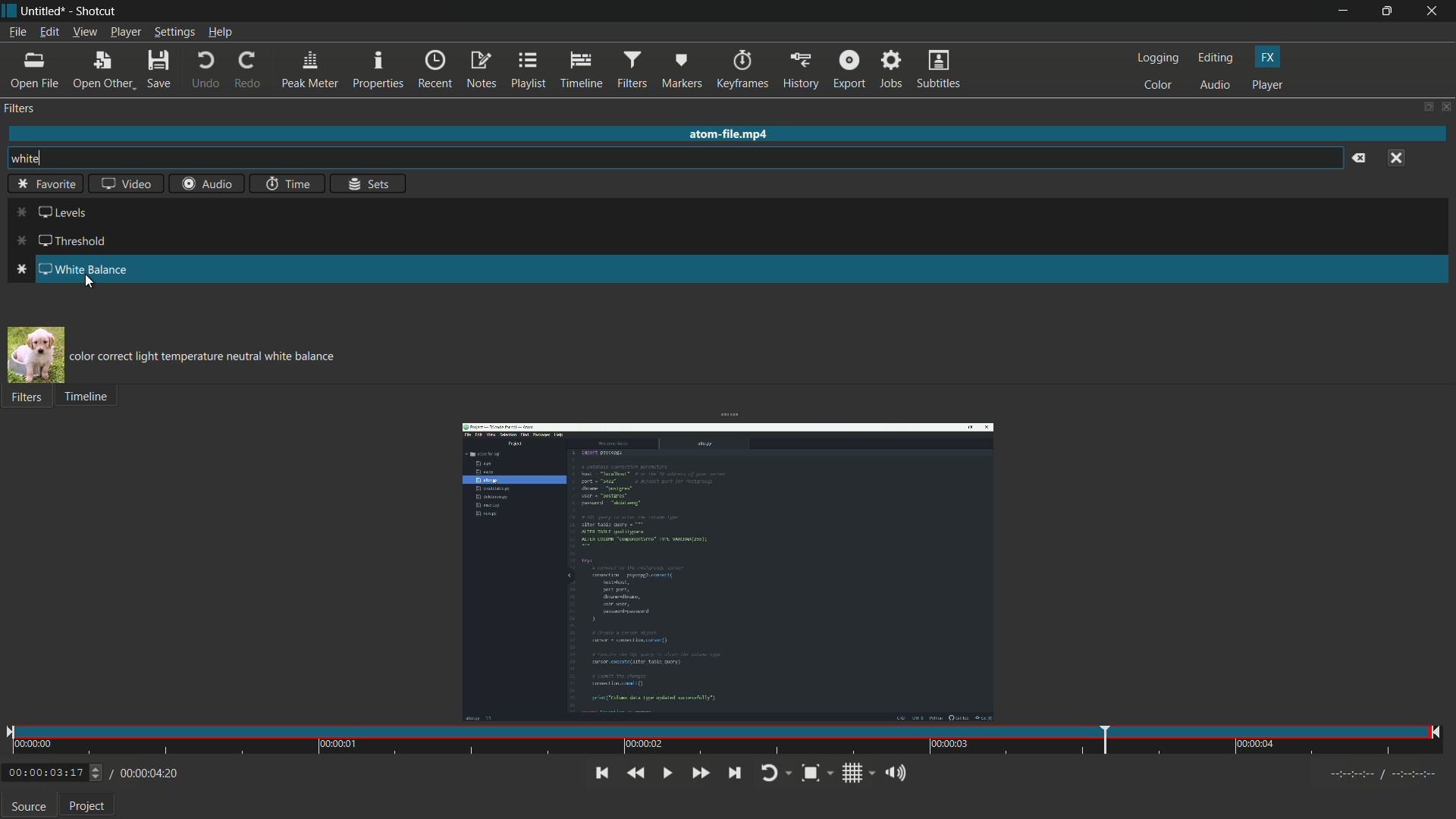 The width and height of the screenshot is (1456, 819). I want to click on show volume control, so click(899, 772).